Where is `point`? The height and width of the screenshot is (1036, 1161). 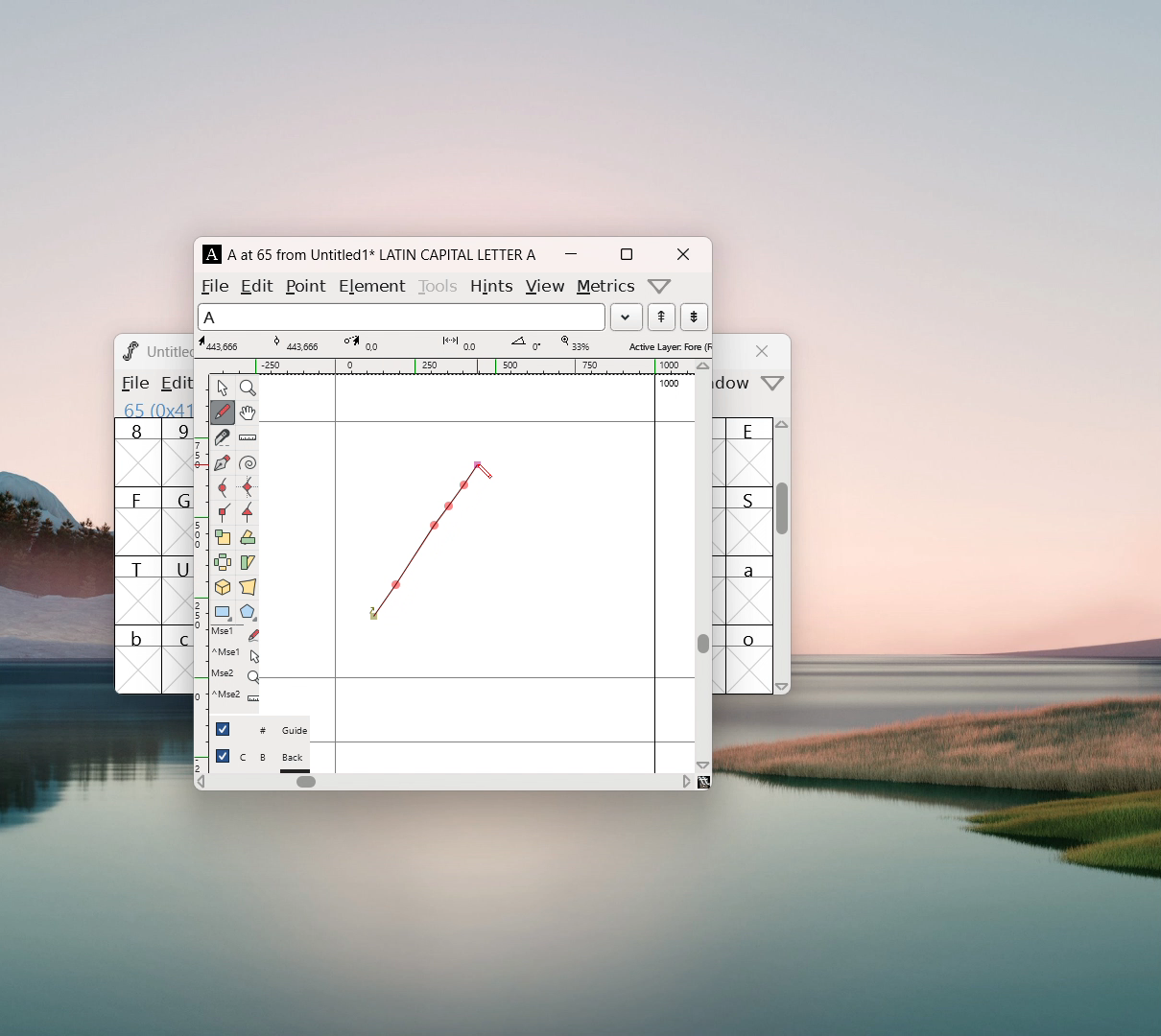
point is located at coordinates (308, 286).